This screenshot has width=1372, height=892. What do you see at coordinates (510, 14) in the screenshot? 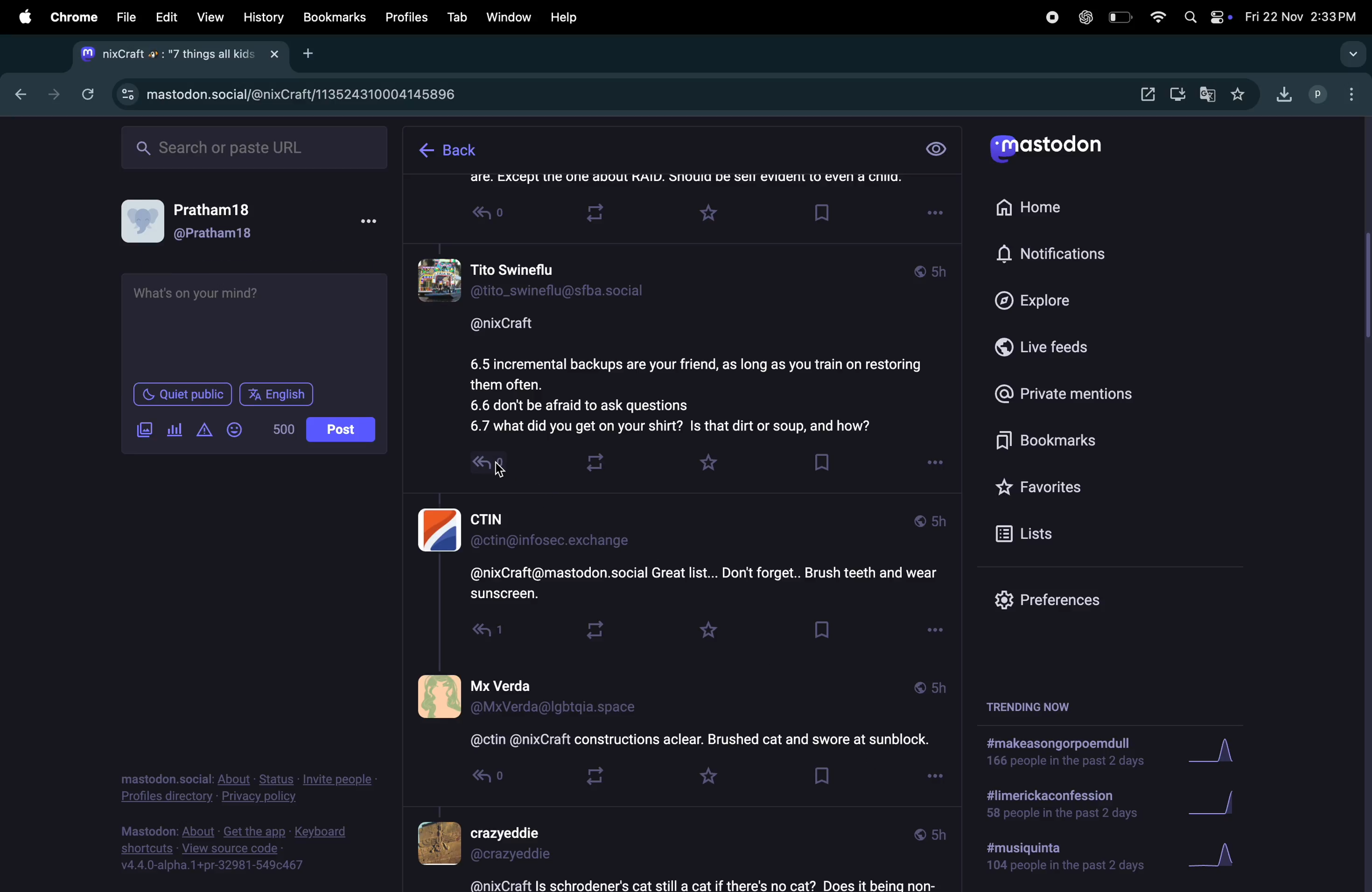
I see `window` at bounding box center [510, 14].